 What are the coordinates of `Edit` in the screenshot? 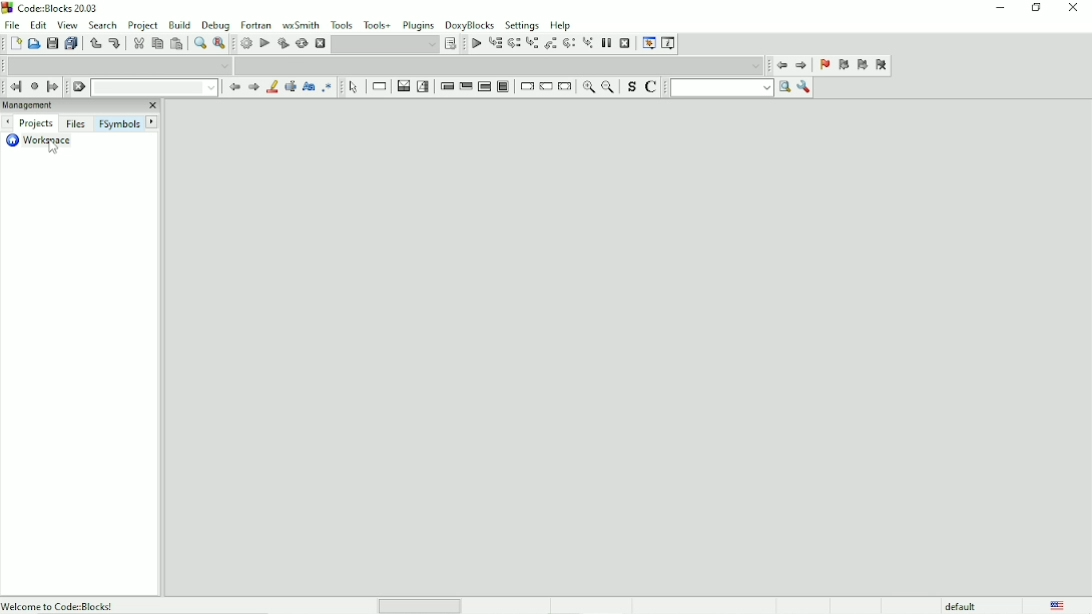 It's located at (38, 24).